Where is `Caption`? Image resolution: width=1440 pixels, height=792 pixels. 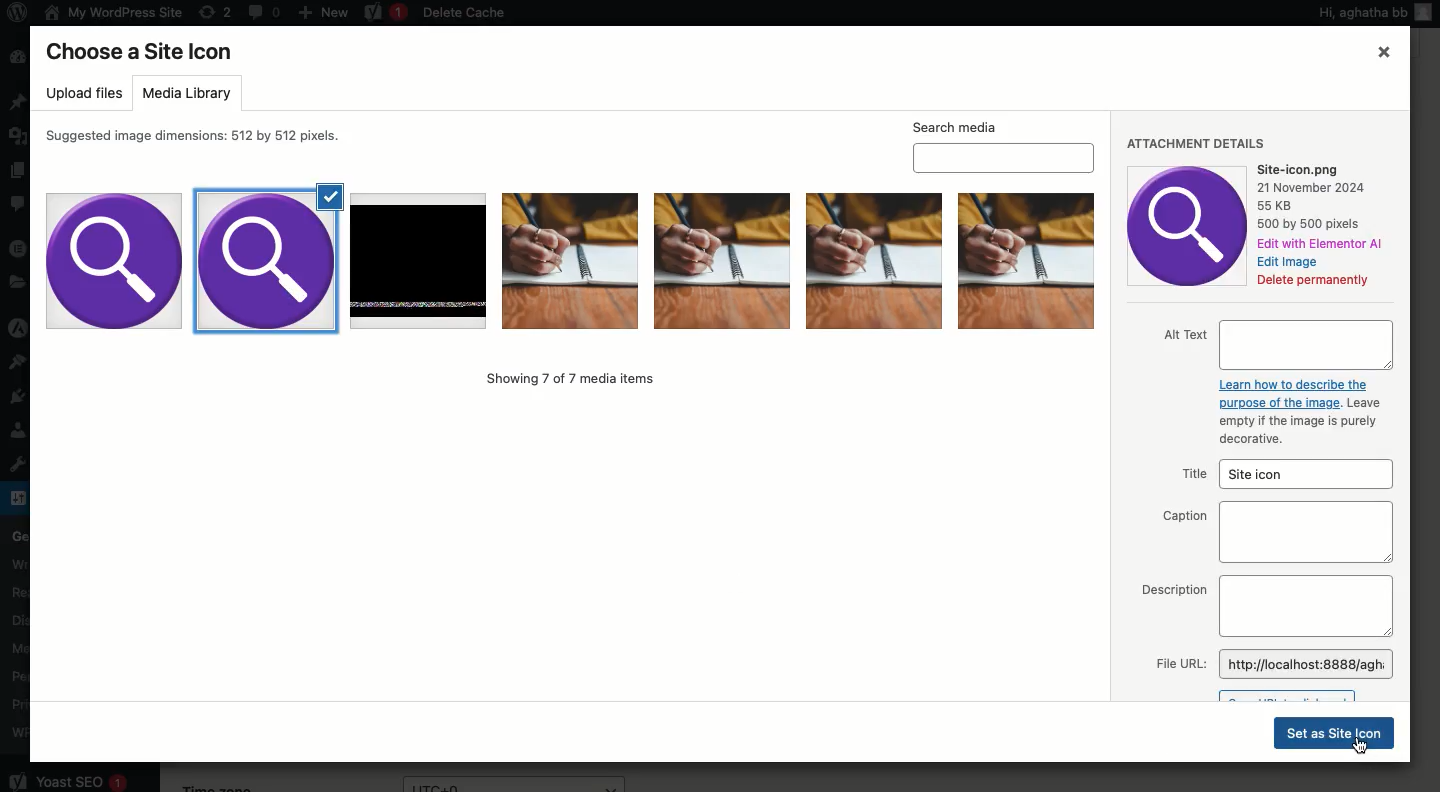 Caption is located at coordinates (1187, 516).